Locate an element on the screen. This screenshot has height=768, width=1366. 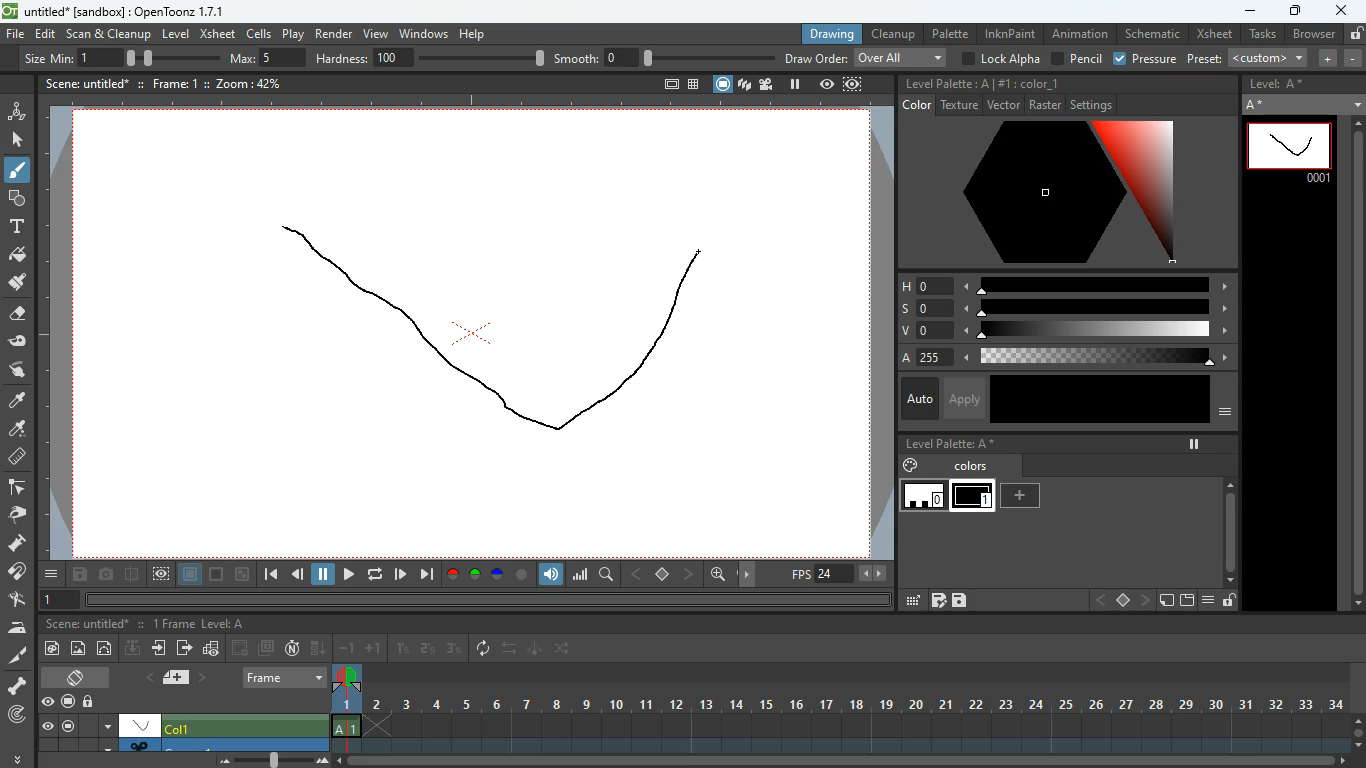
screen is located at coordinates (266, 648).